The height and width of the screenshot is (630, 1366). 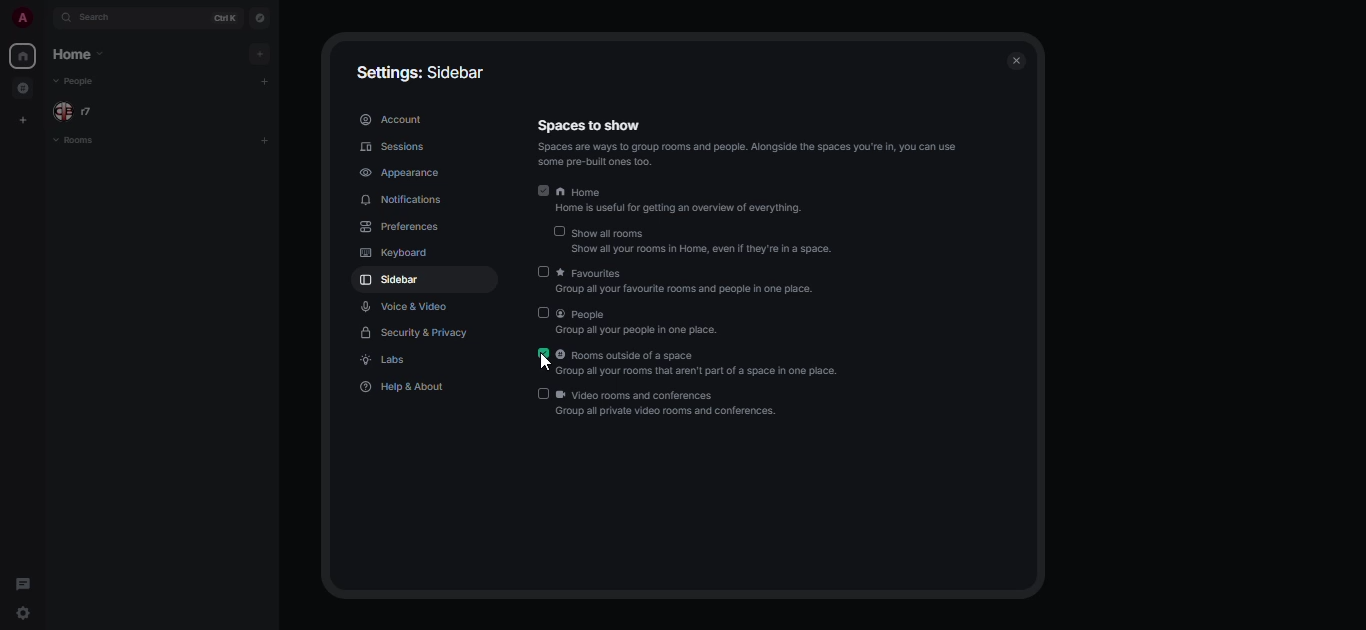 I want to click on keyboard, so click(x=391, y=253).